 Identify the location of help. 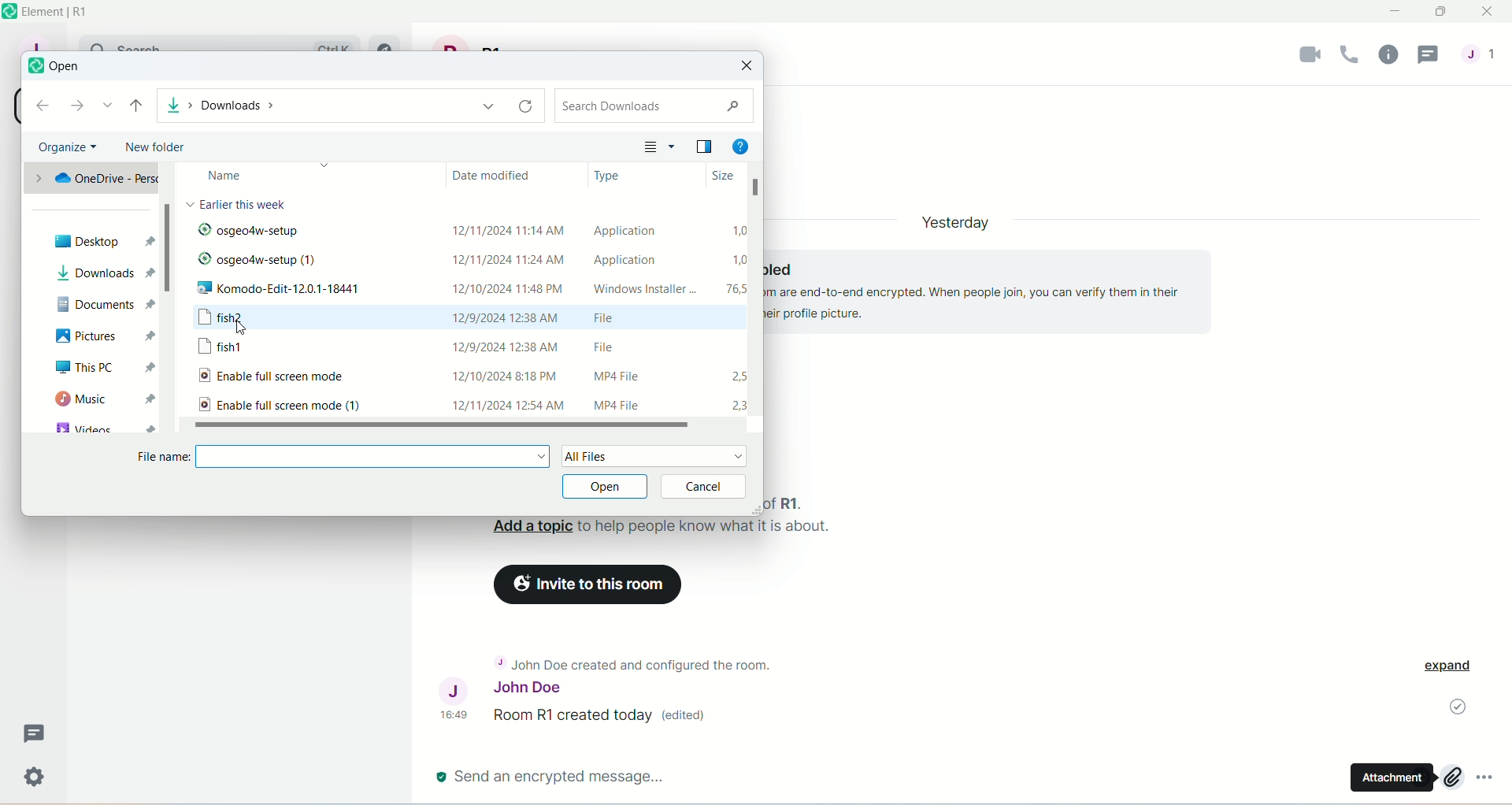
(744, 146).